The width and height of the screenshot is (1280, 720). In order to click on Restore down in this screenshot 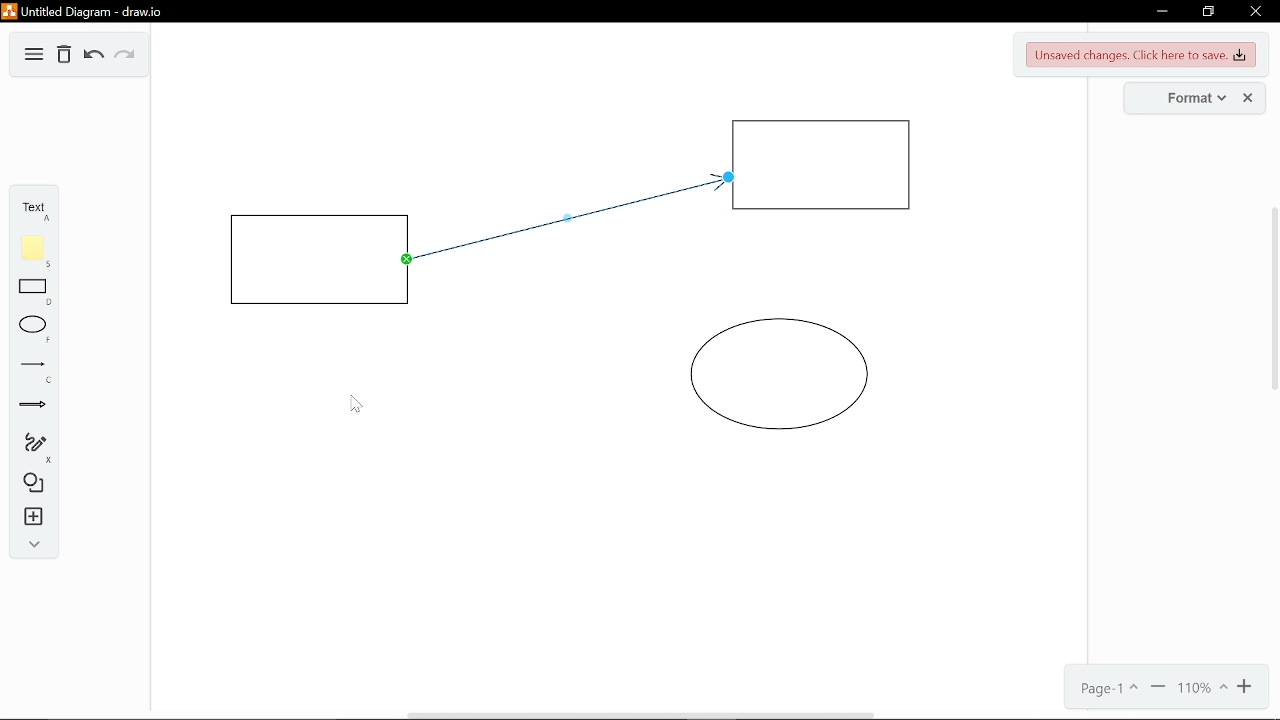, I will do `click(1206, 12)`.